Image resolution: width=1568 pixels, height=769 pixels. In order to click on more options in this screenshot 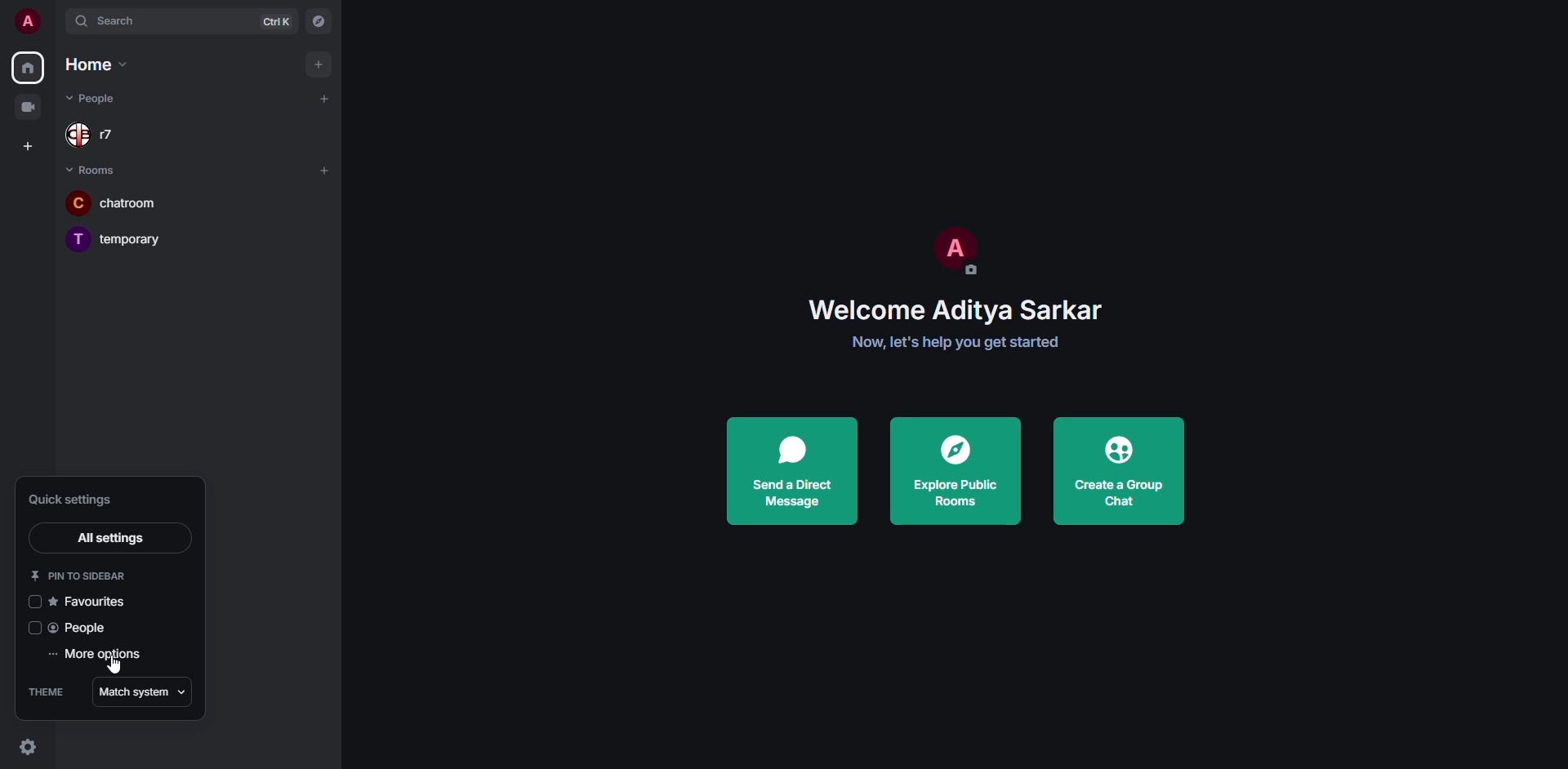, I will do `click(98, 655)`.